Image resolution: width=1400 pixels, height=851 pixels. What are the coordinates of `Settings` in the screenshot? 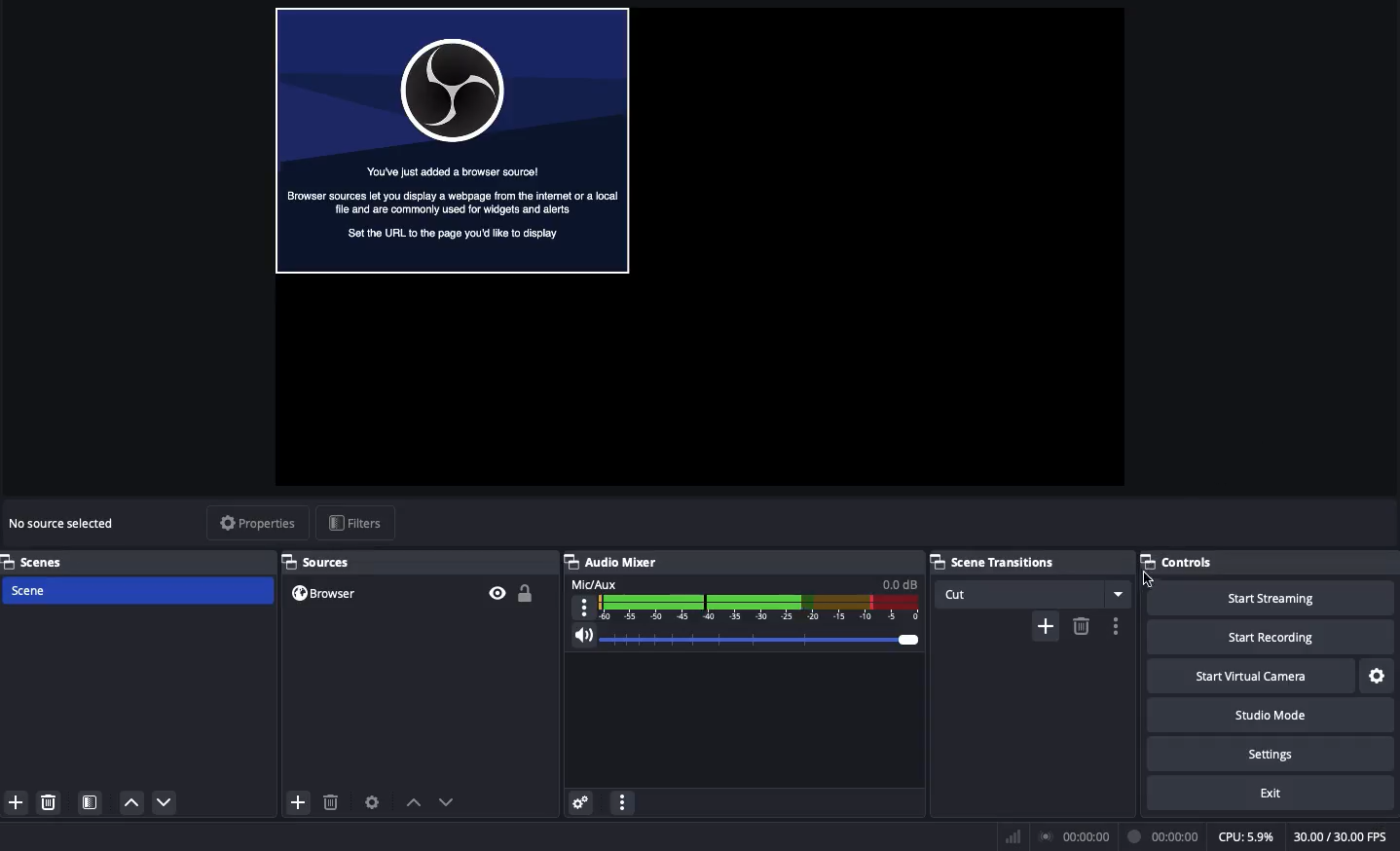 It's located at (1274, 755).